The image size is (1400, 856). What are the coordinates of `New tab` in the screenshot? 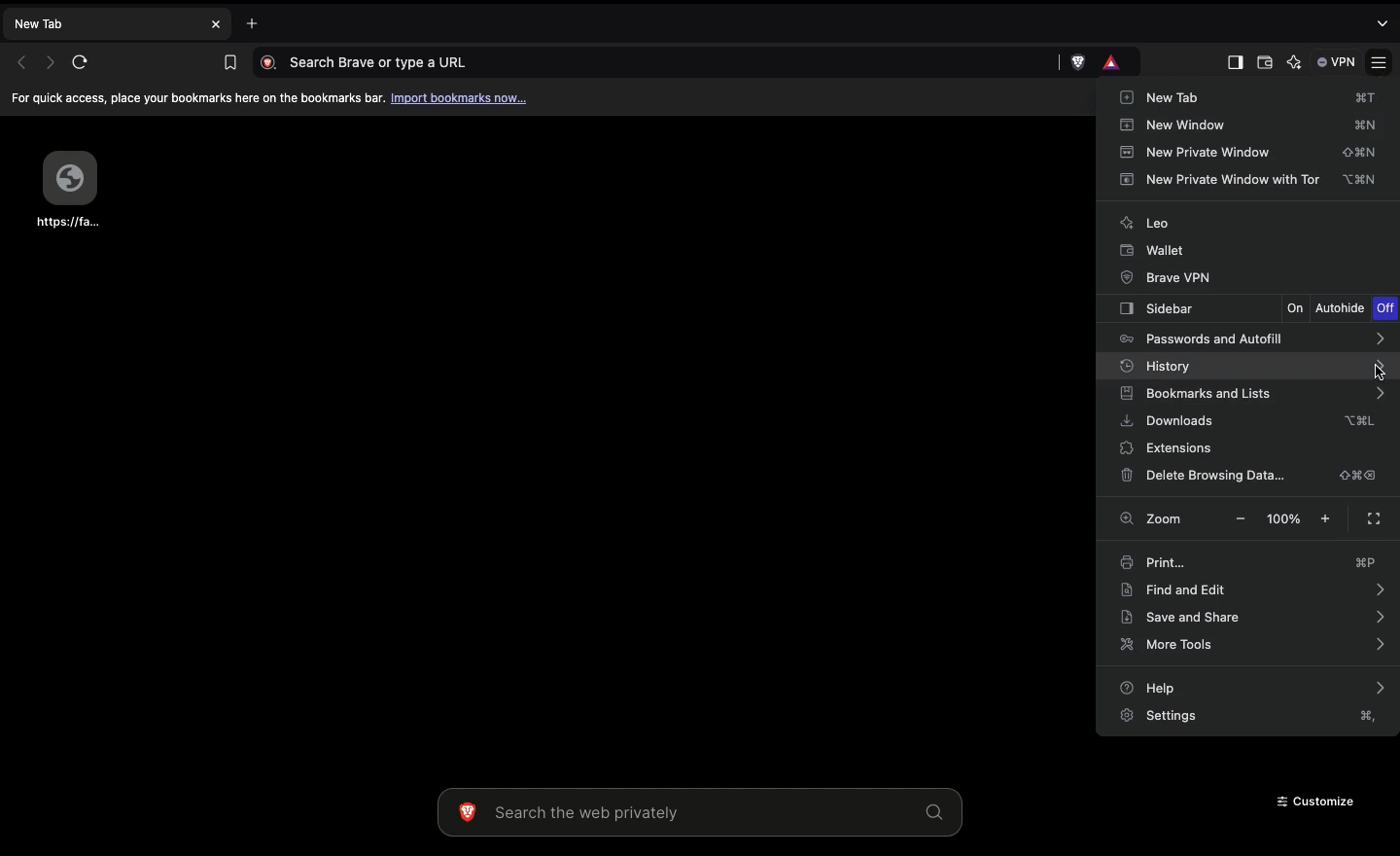 It's located at (1247, 97).